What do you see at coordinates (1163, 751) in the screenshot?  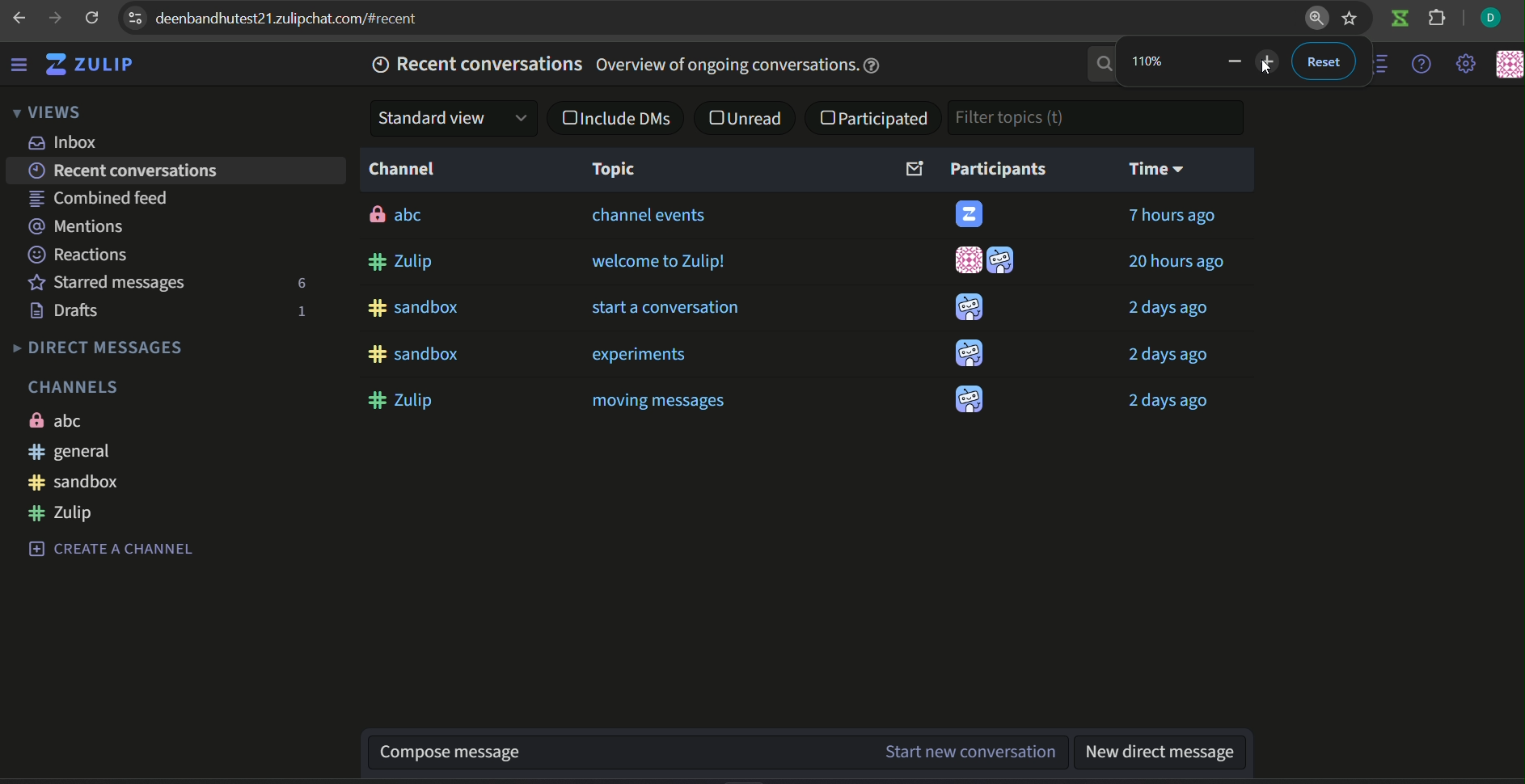 I see `new direct message` at bounding box center [1163, 751].